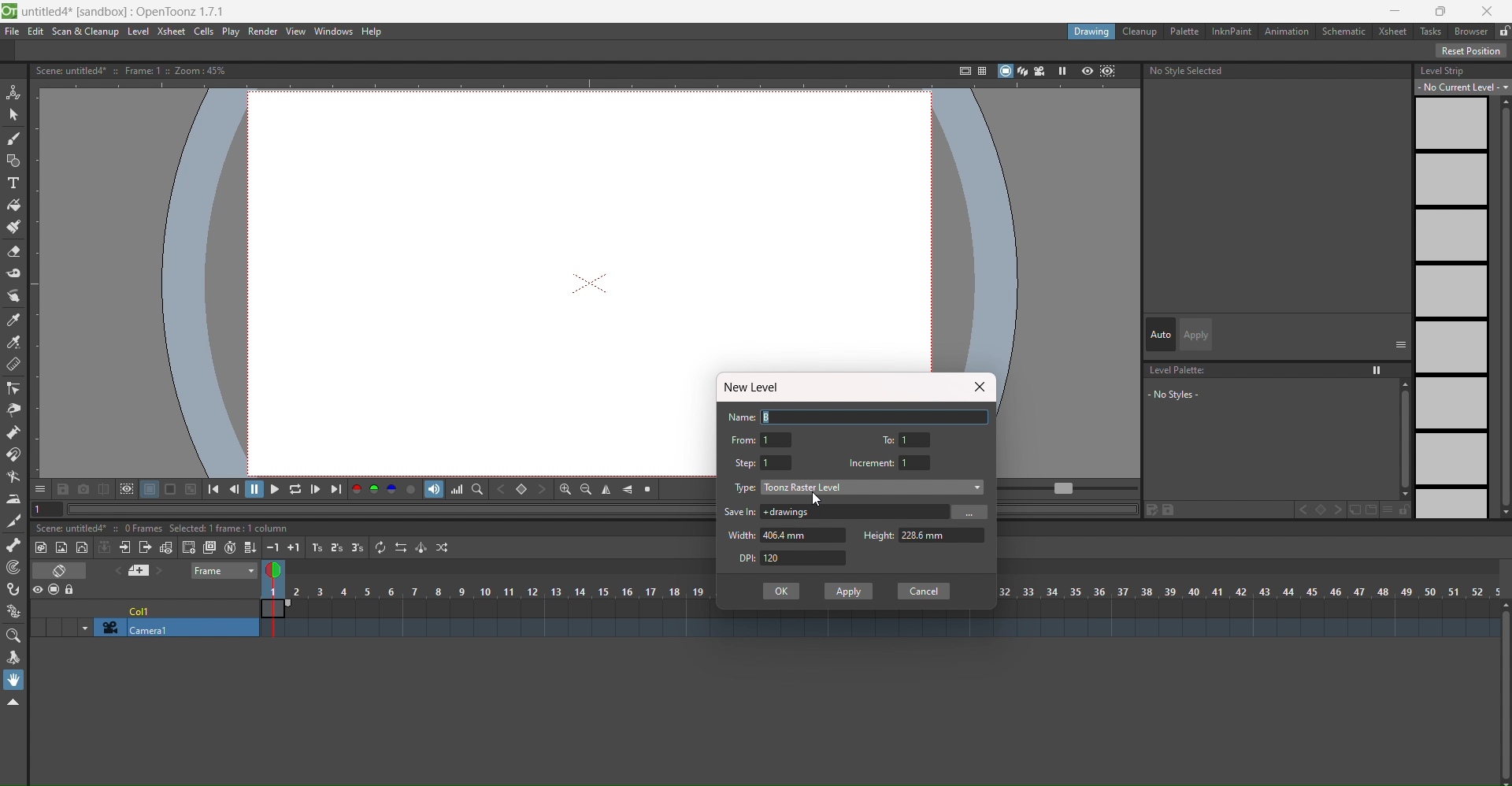  I want to click on pause, so click(255, 489).